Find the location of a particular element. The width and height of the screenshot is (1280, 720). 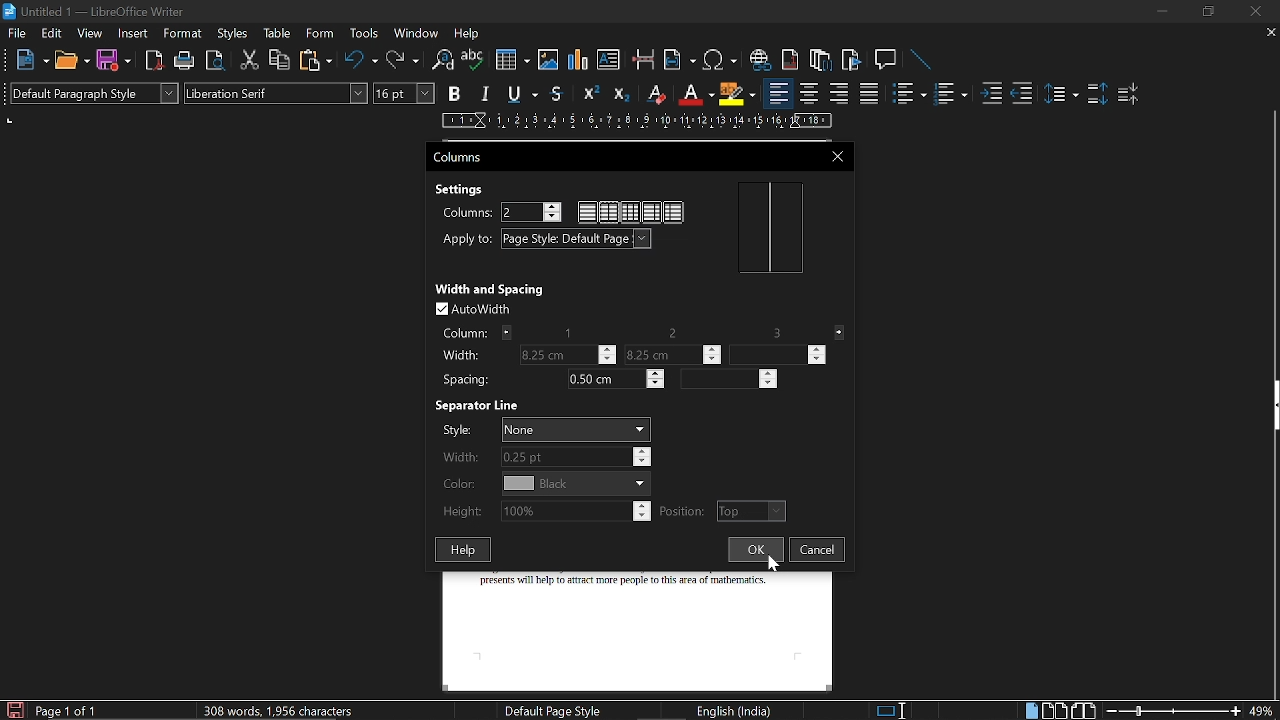

Superscript is located at coordinates (590, 94).